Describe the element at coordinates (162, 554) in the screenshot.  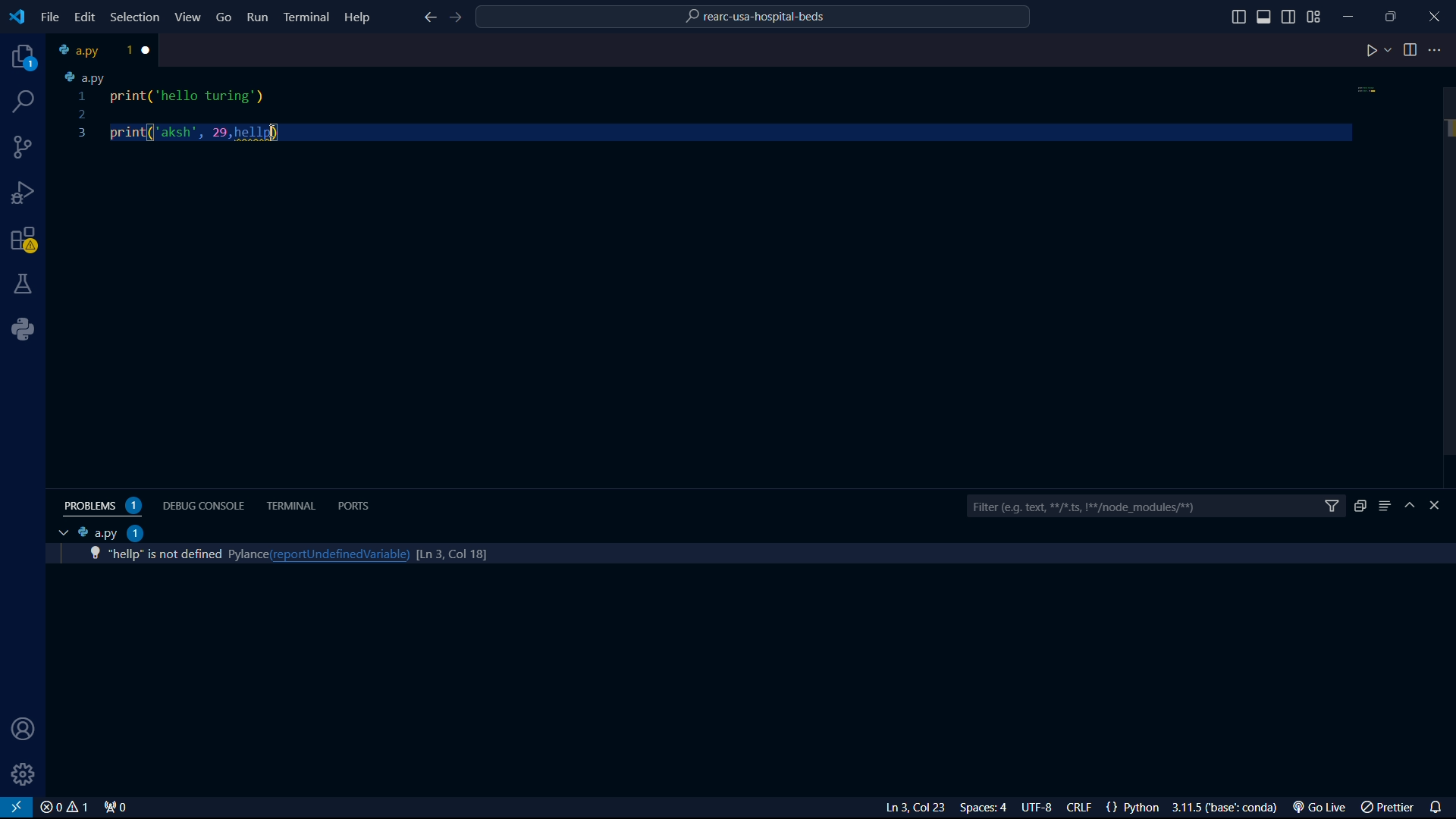
I see `activity code` at that location.